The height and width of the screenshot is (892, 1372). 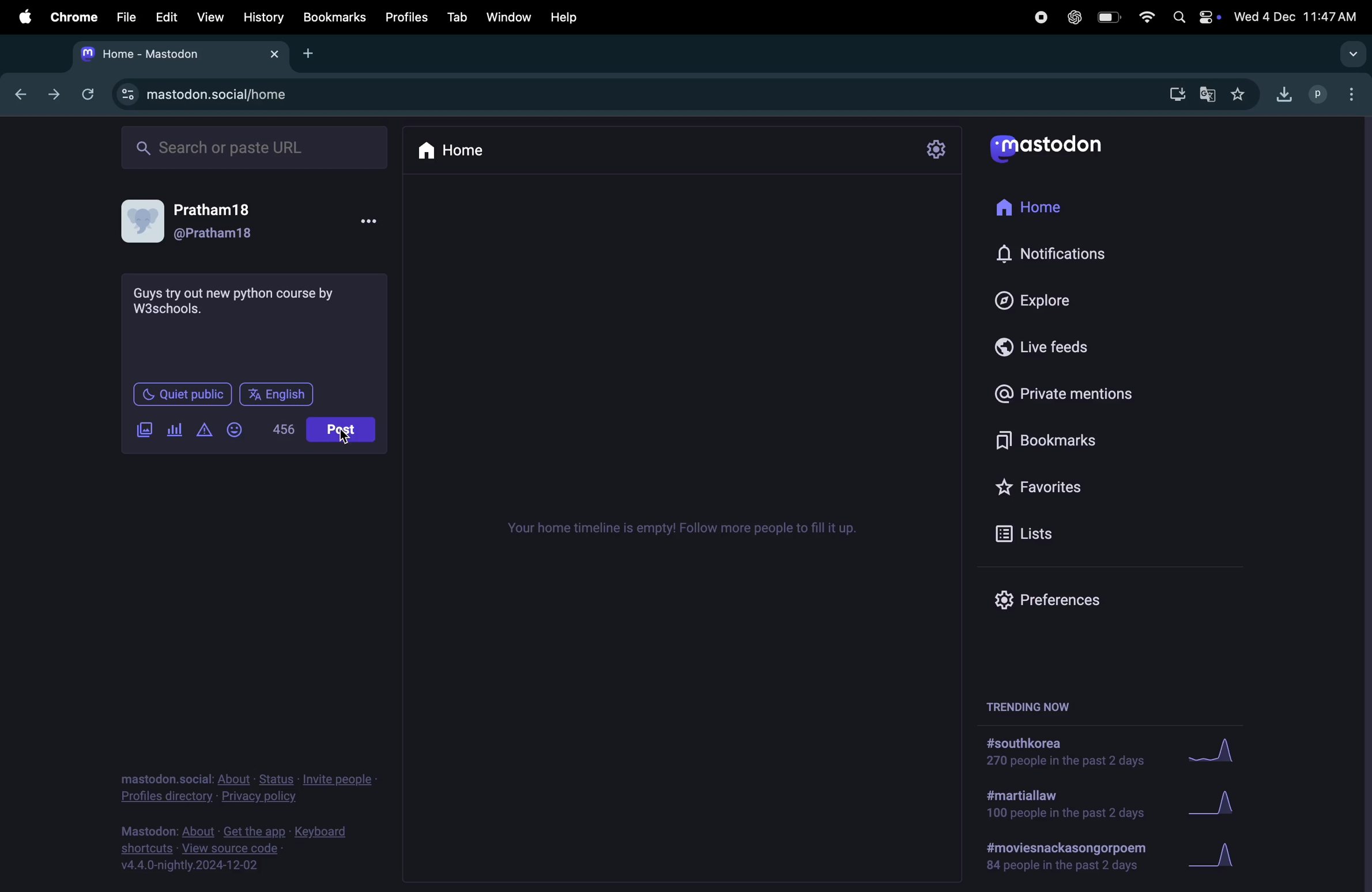 What do you see at coordinates (262, 19) in the screenshot?
I see `History` at bounding box center [262, 19].